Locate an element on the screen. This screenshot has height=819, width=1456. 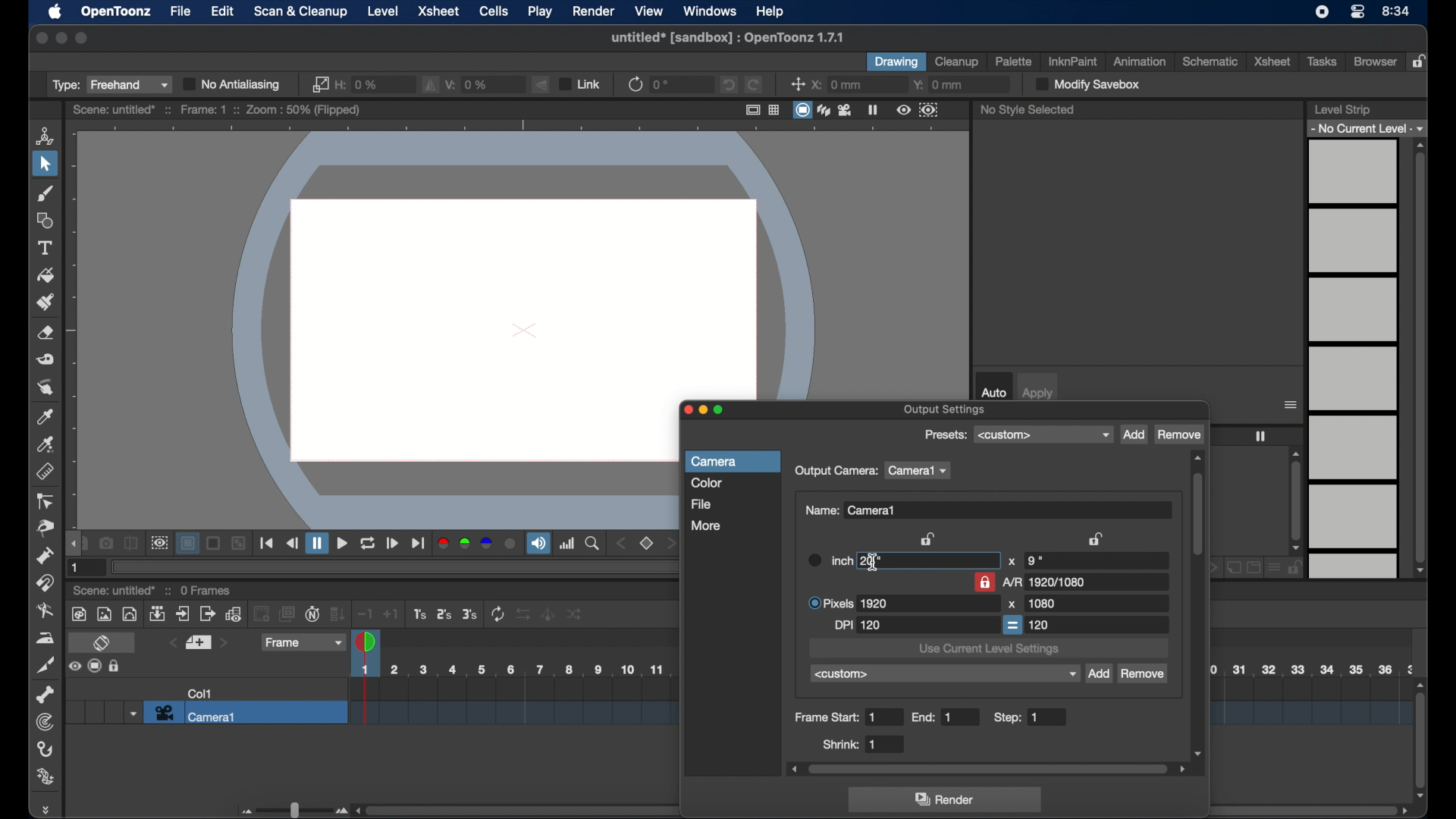
 is located at coordinates (1097, 539).